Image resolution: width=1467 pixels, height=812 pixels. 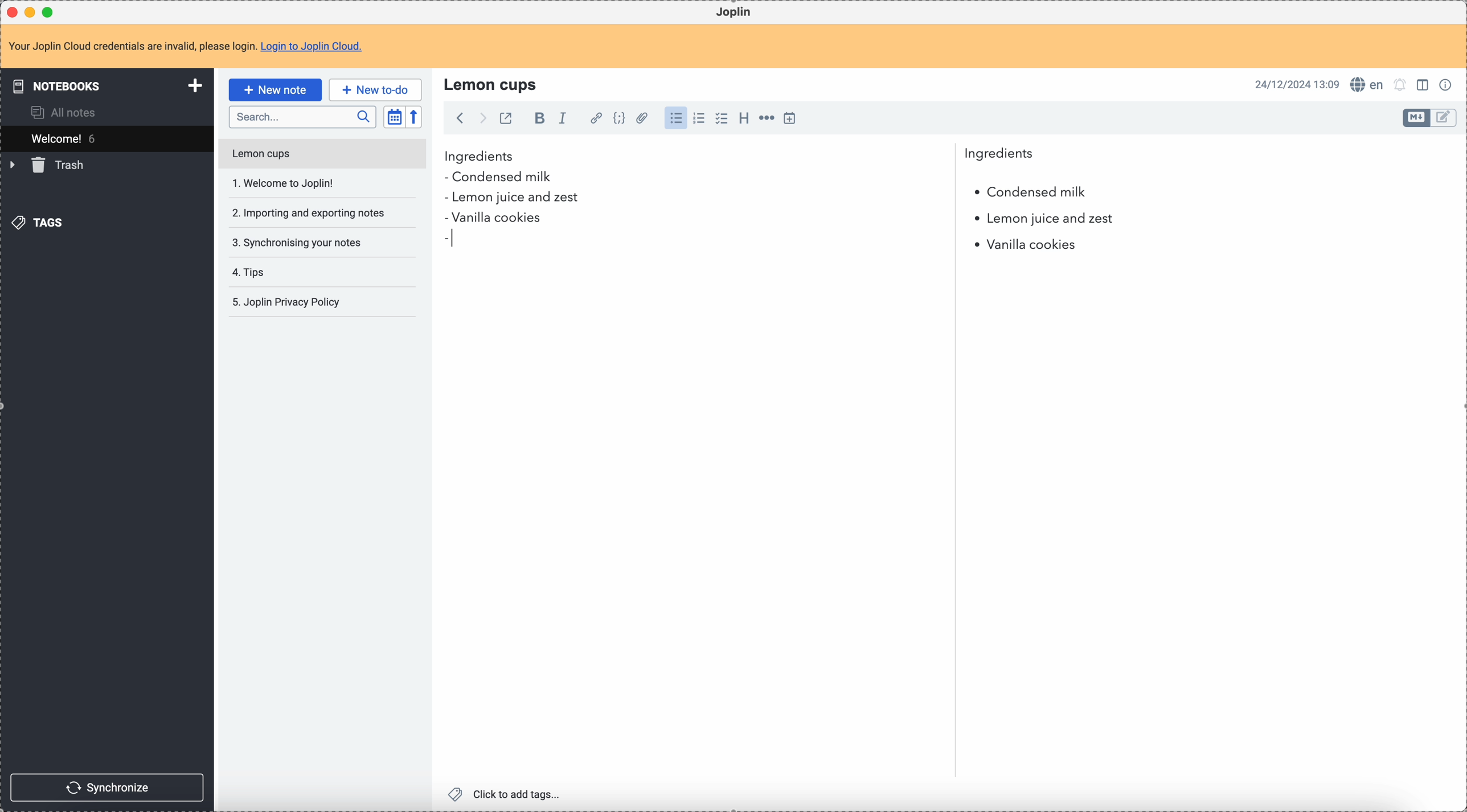 I want to click on code, so click(x=619, y=119).